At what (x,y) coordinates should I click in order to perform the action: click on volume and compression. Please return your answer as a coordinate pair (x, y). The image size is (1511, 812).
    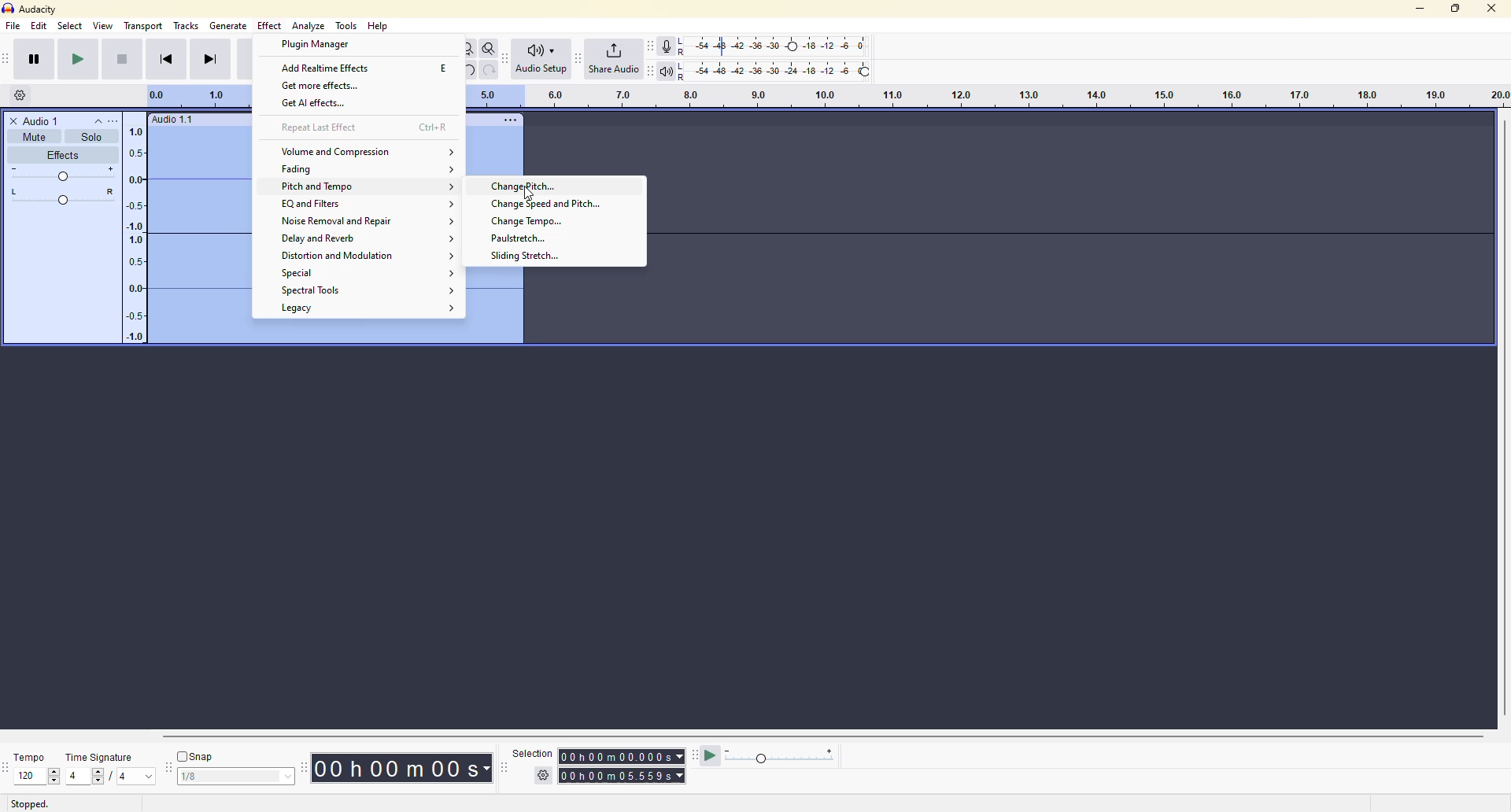
    Looking at the image, I should click on (338, 151).